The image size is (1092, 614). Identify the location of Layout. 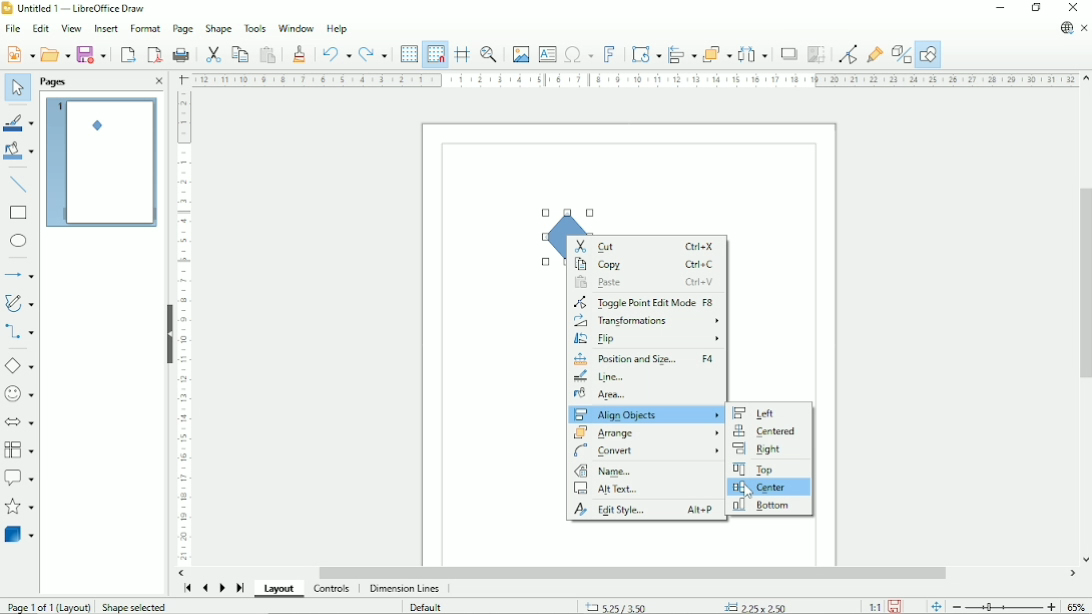
(279, 590).